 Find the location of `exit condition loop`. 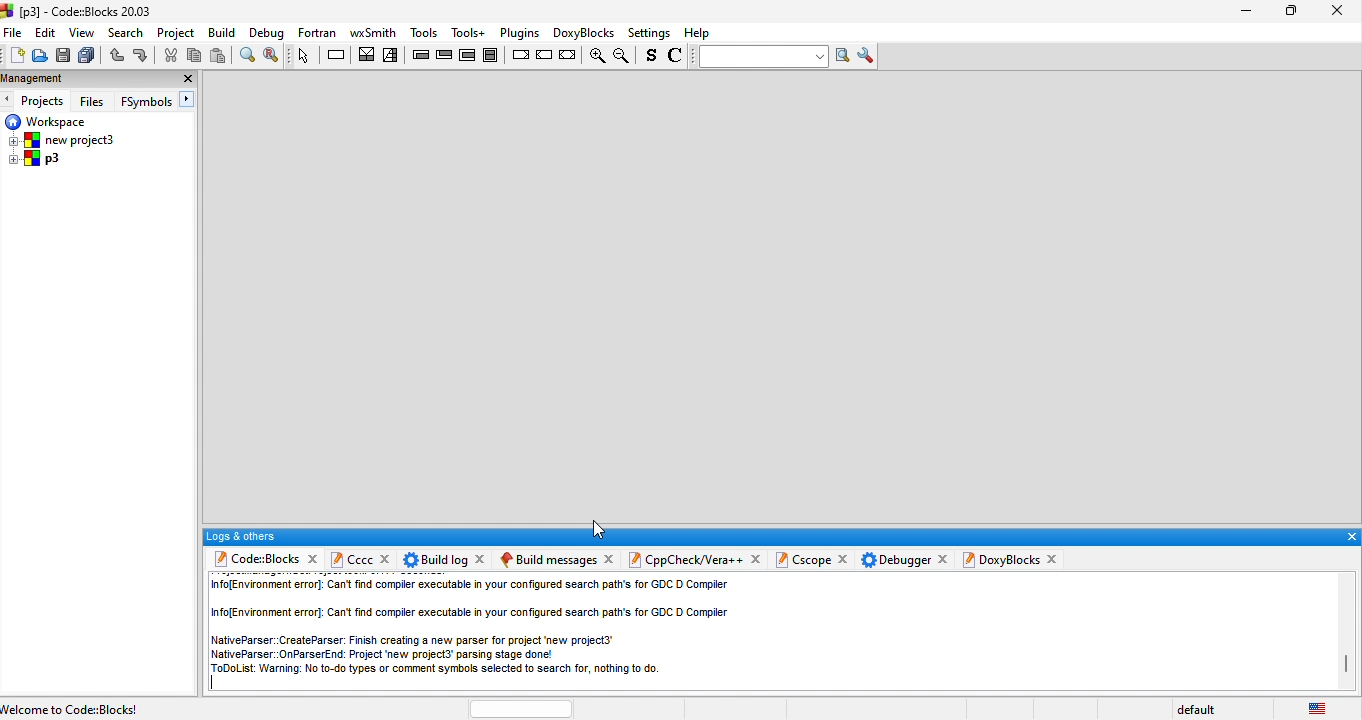

exit condition loop is located at coordinates (445, 55).